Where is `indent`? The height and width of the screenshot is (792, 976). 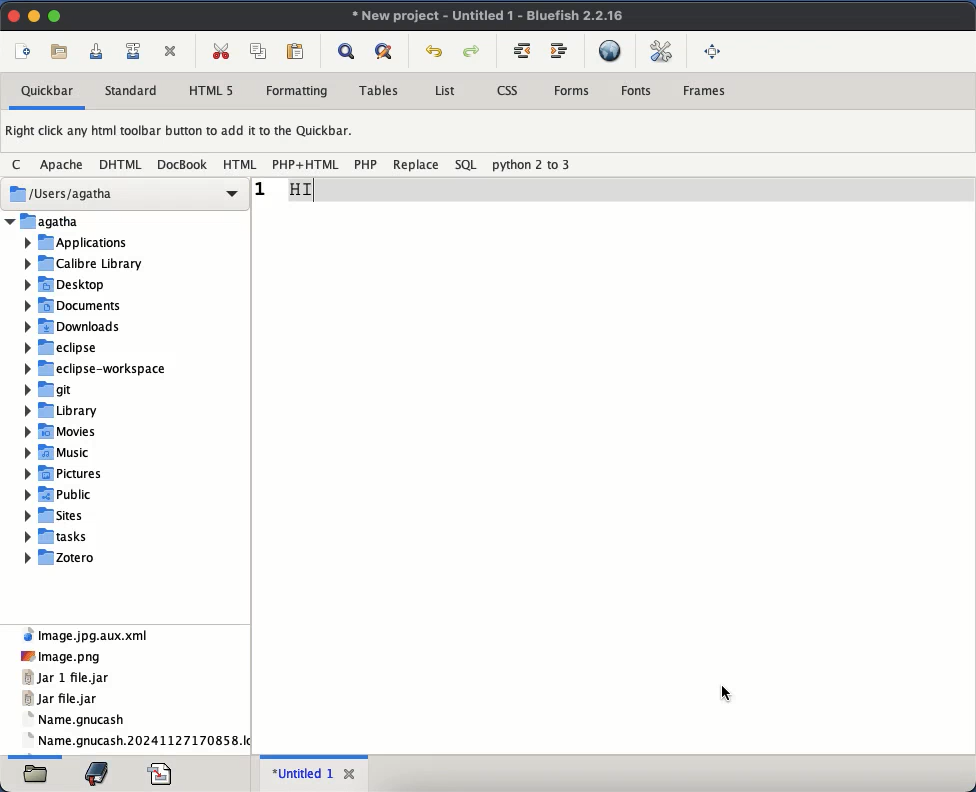 indent is located at coordinates (561, 51).